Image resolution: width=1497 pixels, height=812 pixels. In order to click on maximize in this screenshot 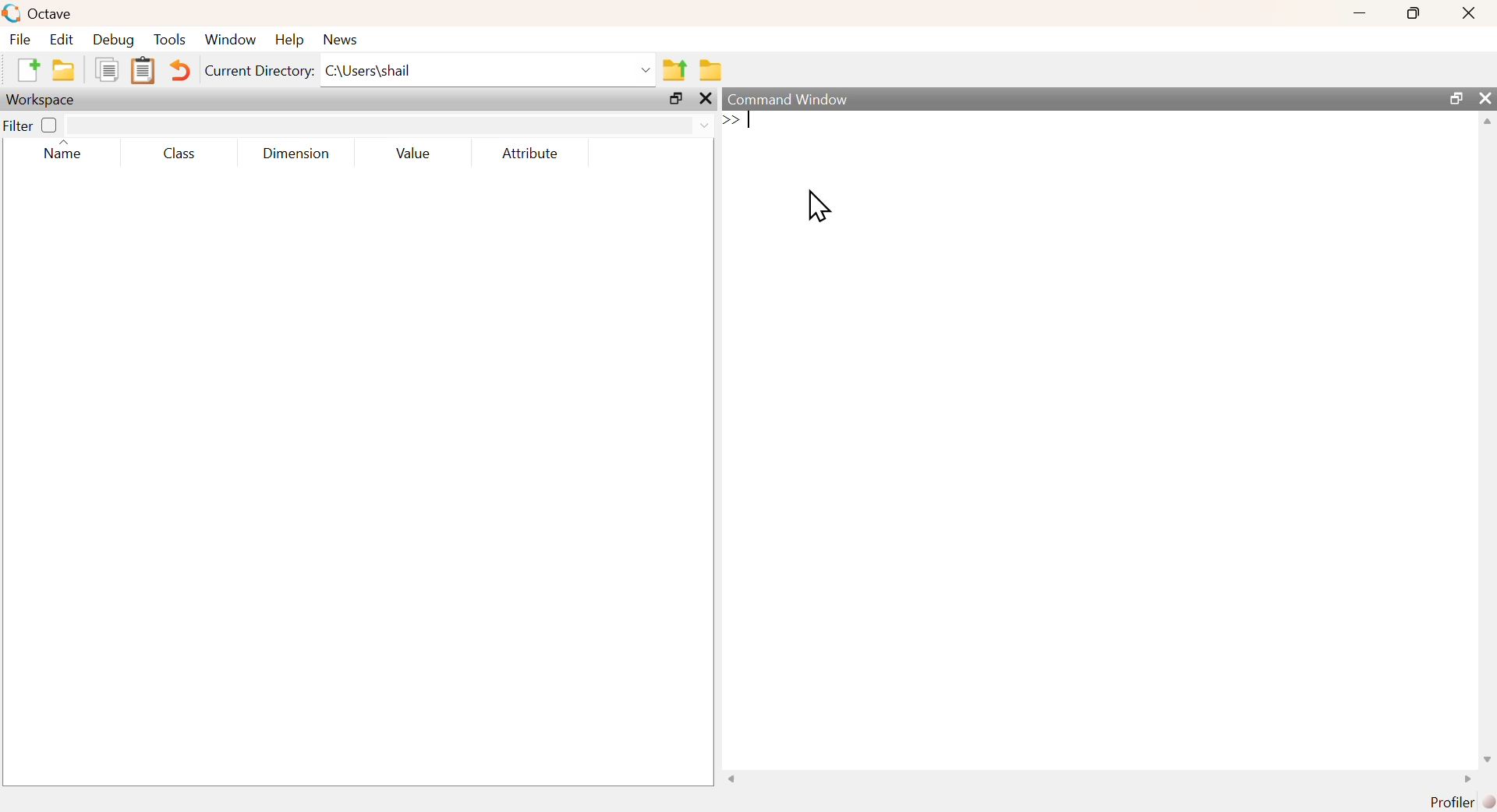, I will do `click(1414, 12)`.